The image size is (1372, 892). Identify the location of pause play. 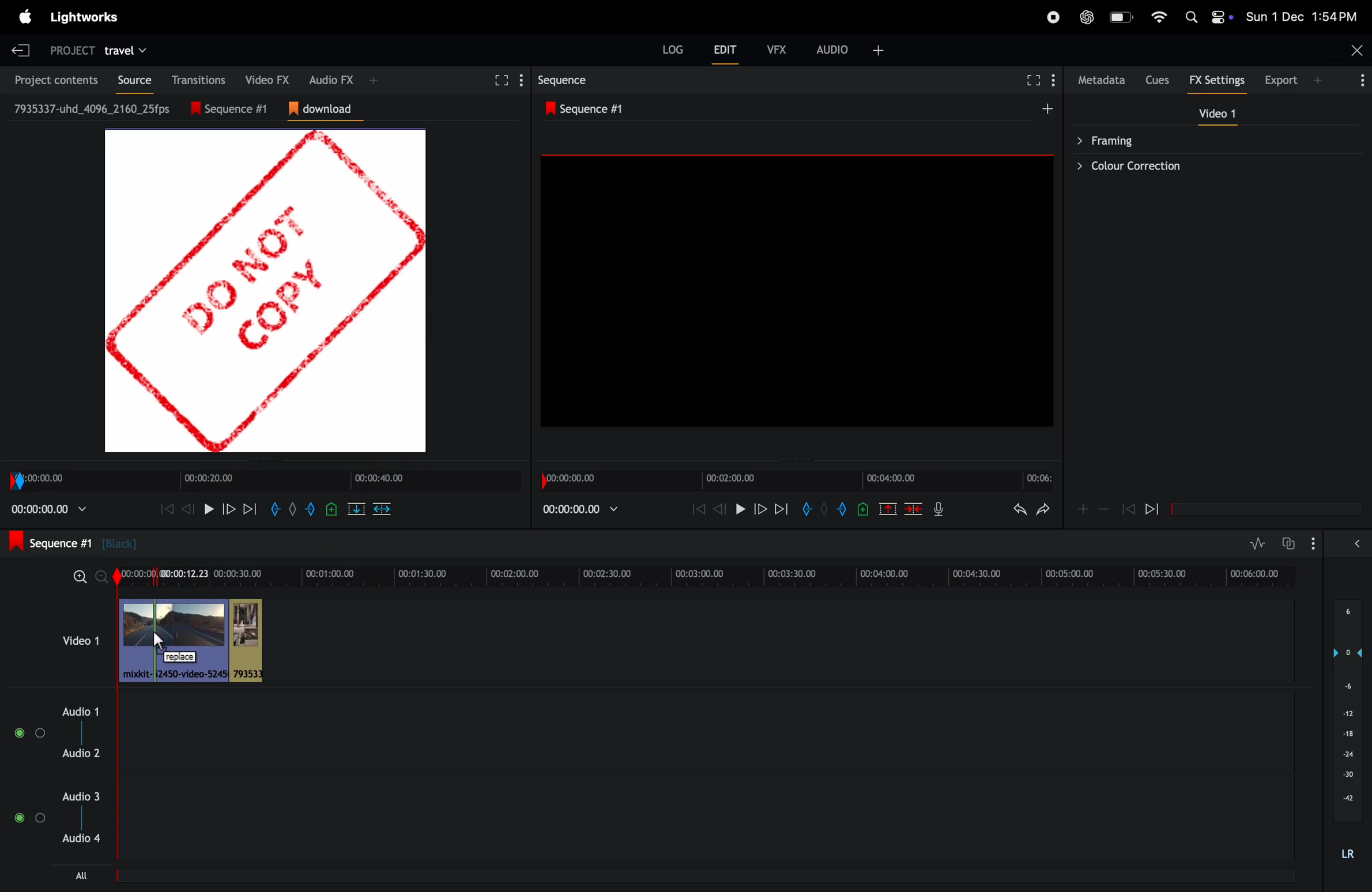
(740, 508).